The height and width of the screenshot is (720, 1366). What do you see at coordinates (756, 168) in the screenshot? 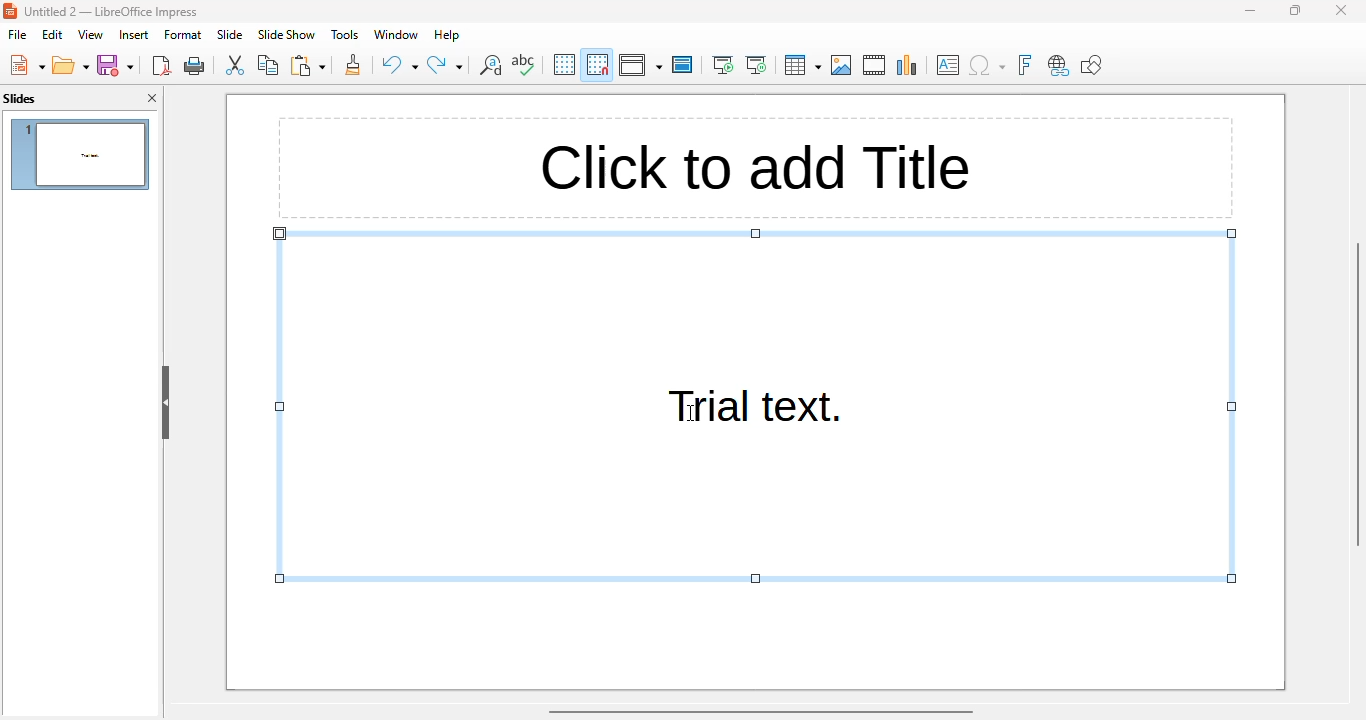
I see `Click to add title` at bounding box center [756, 168].